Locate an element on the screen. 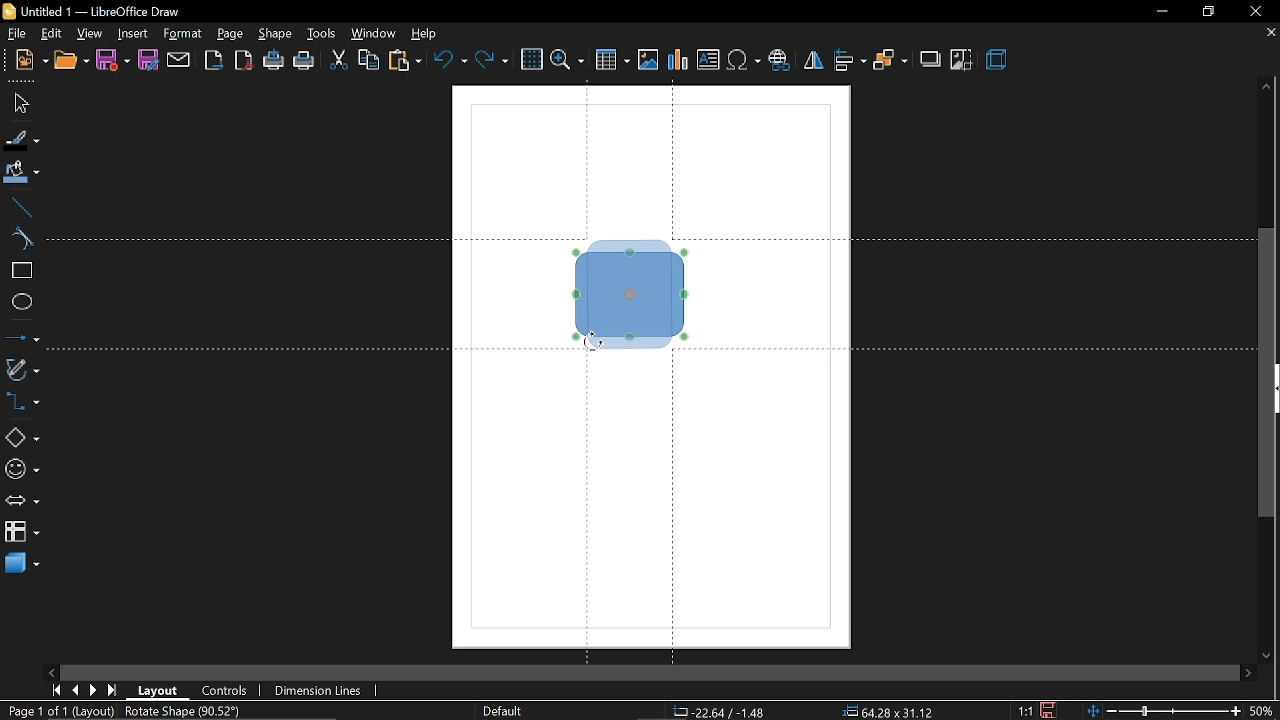  minimize is located at coordinates (1161, 11).